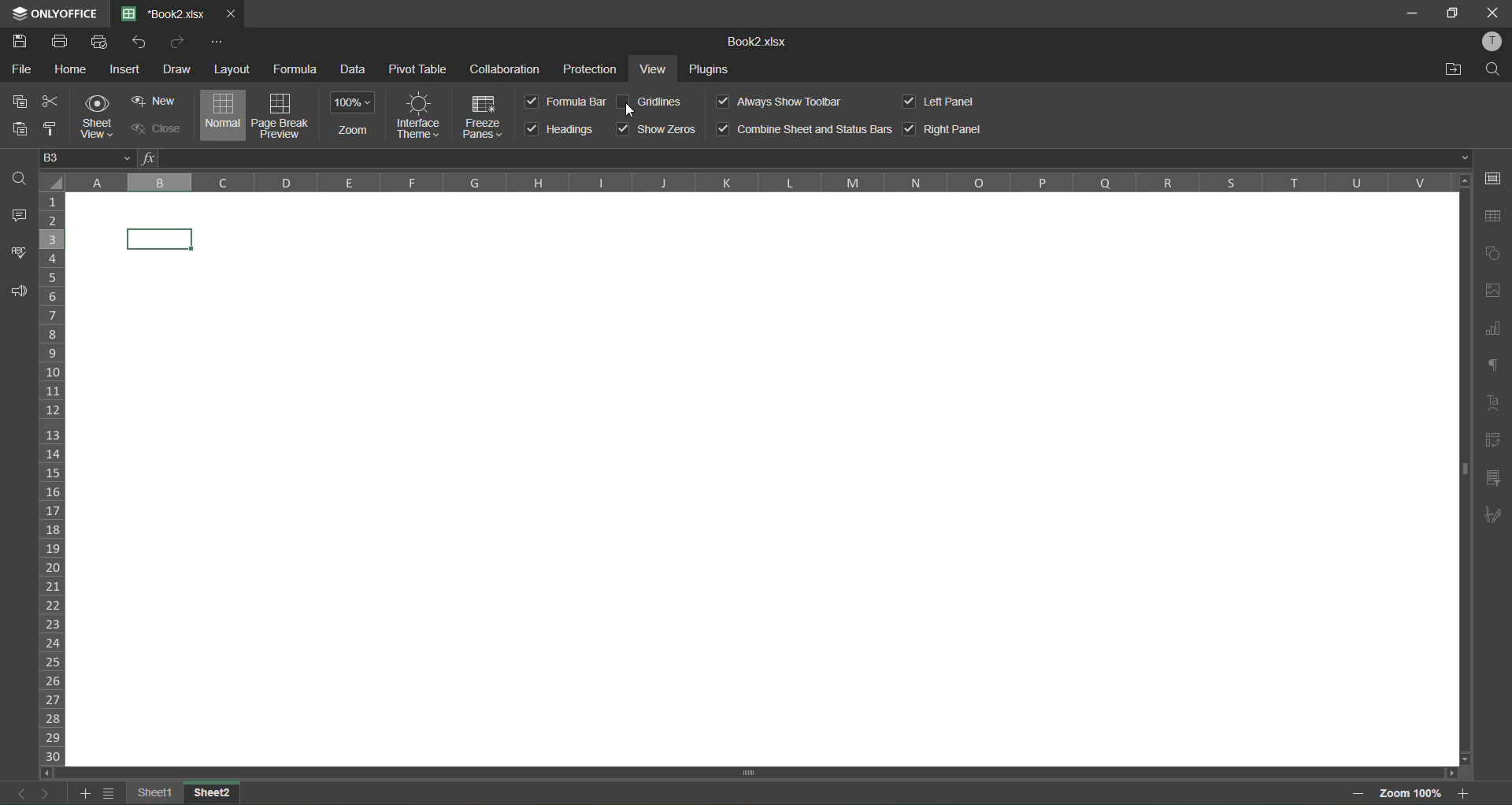  Describe the element at coordinates (947, 102) in the screenshot. I see `left panel` at that location.